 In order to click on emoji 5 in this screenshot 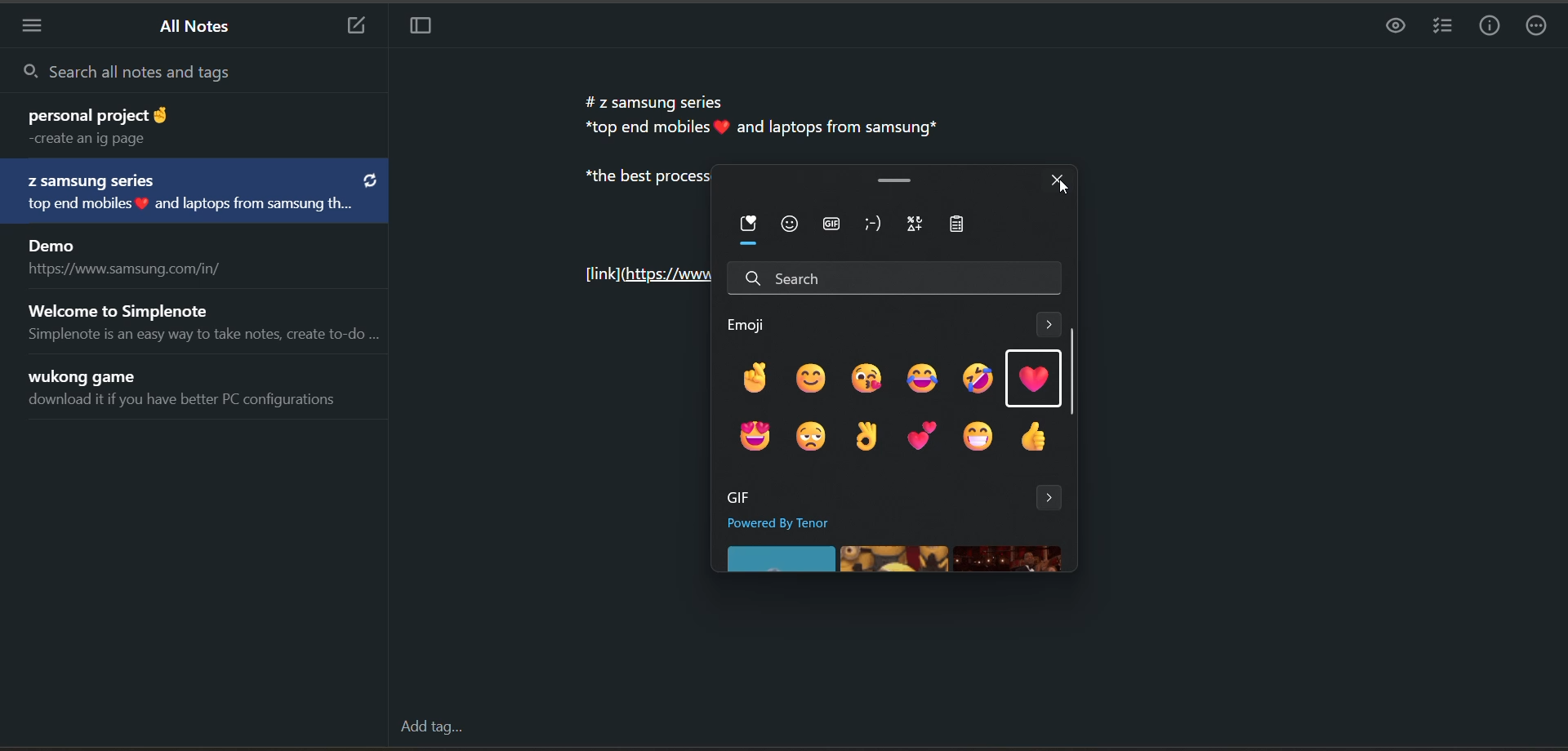, I will do `click(979, 379)`.